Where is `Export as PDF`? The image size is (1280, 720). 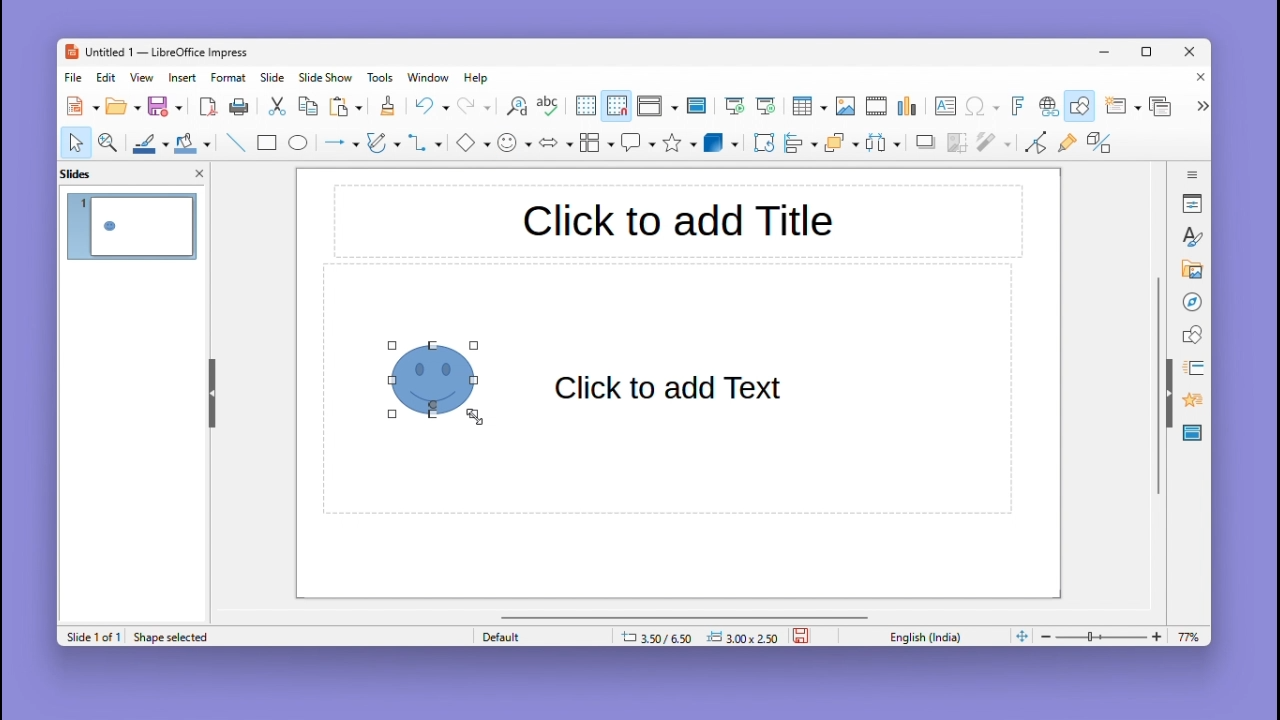 Export as PDF is located at coordinates (208, 108).